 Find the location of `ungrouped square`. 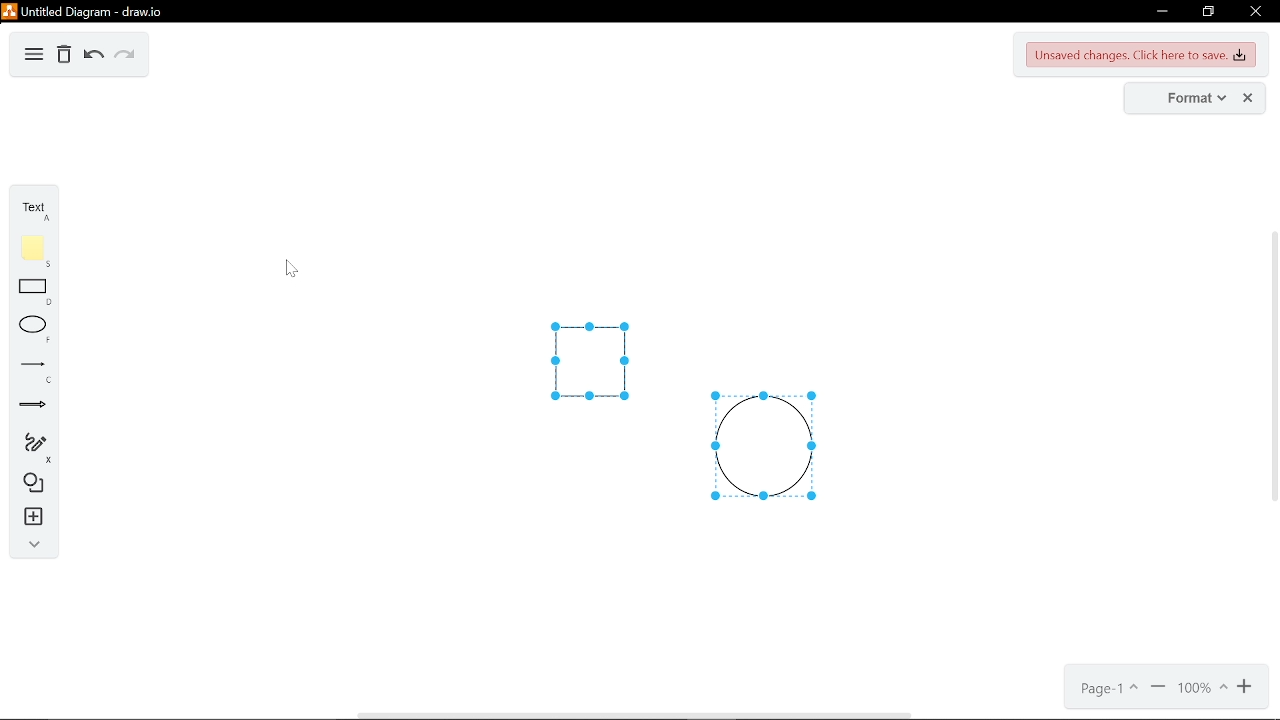

ungrouped square is located at coordinates (590, 360).